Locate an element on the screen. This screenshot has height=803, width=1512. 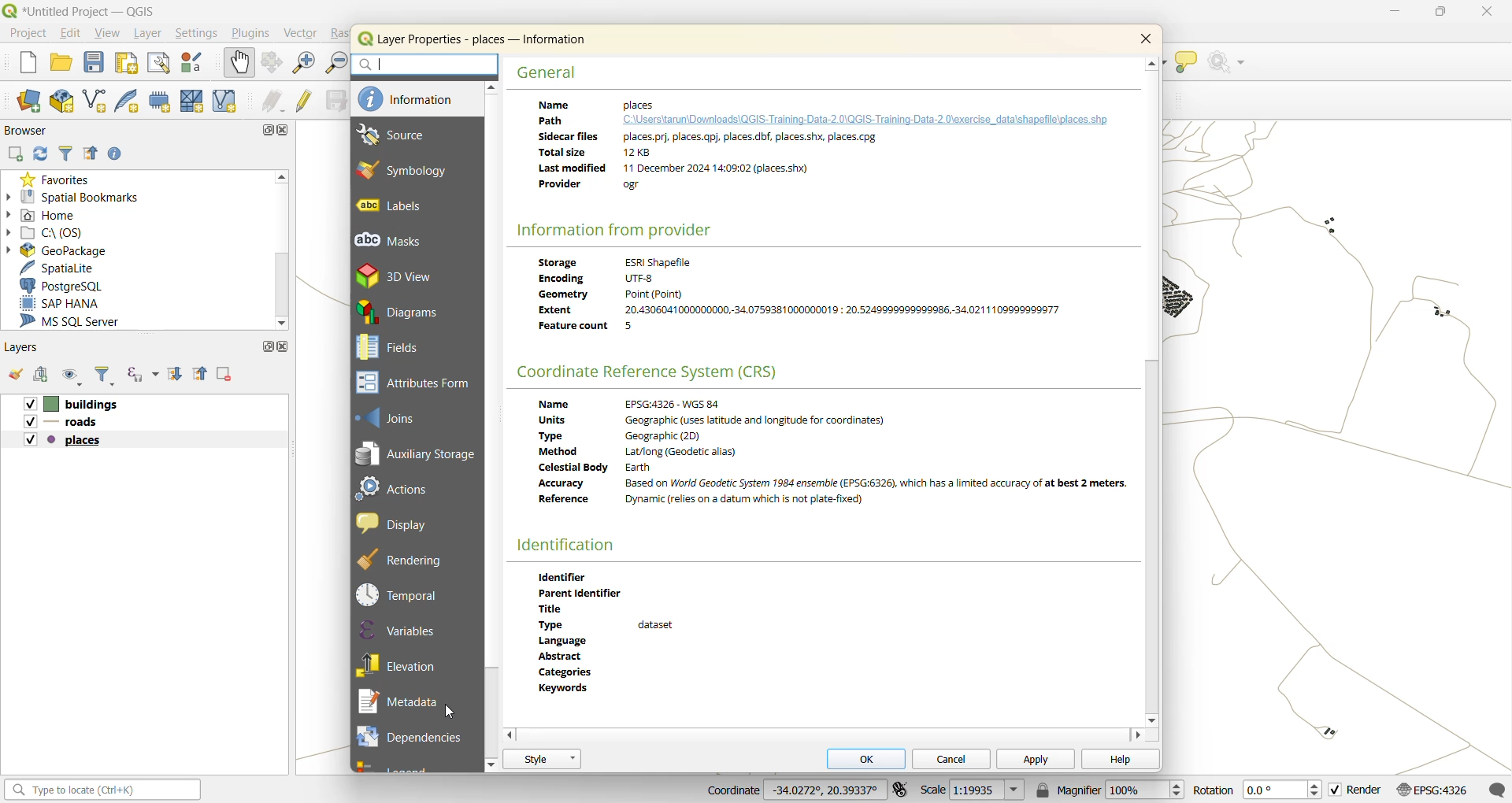
information is located at coordinates (420, 101).